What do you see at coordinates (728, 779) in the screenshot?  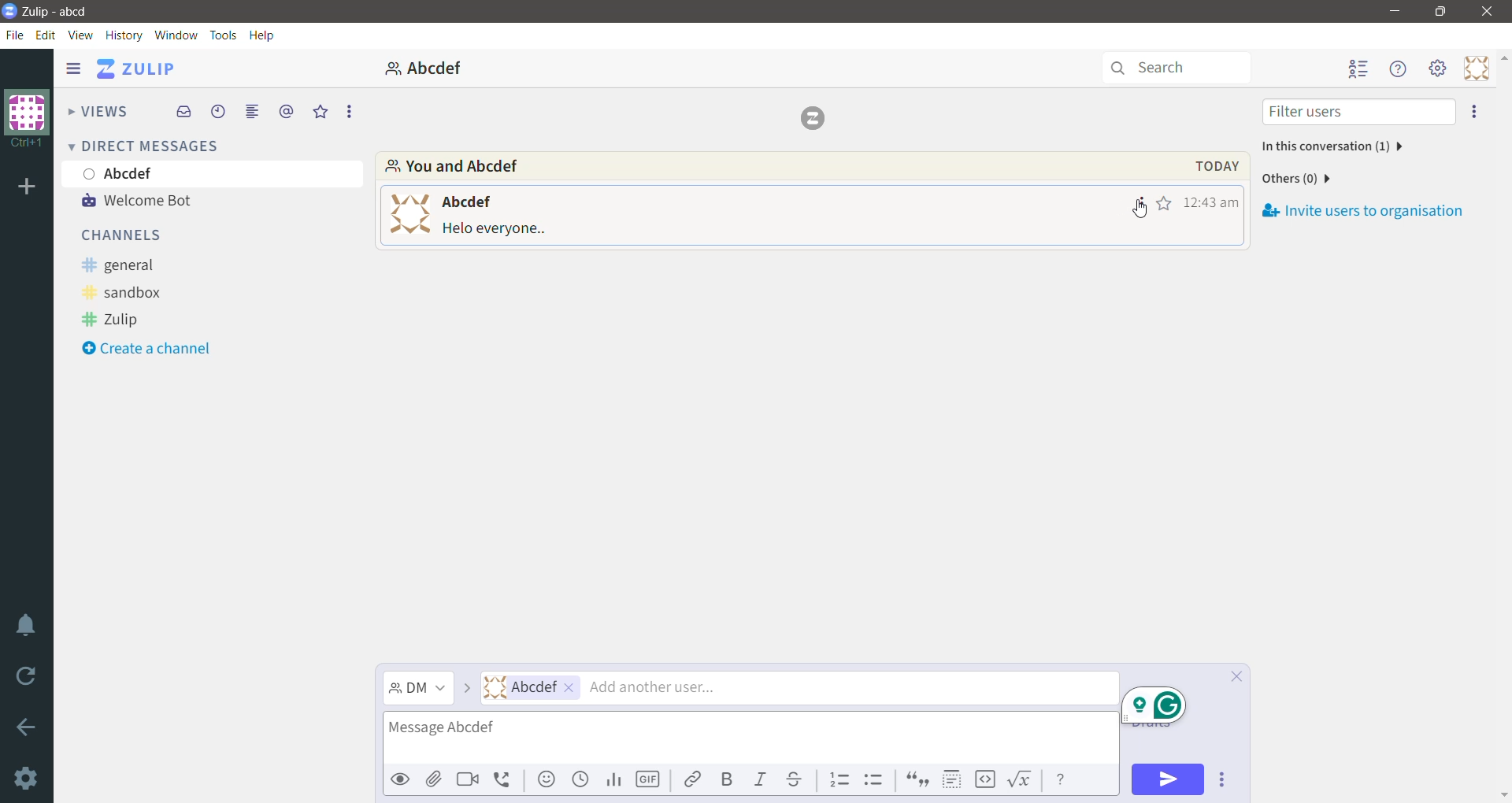 I see `Bold` at bounding box center [728, 779].